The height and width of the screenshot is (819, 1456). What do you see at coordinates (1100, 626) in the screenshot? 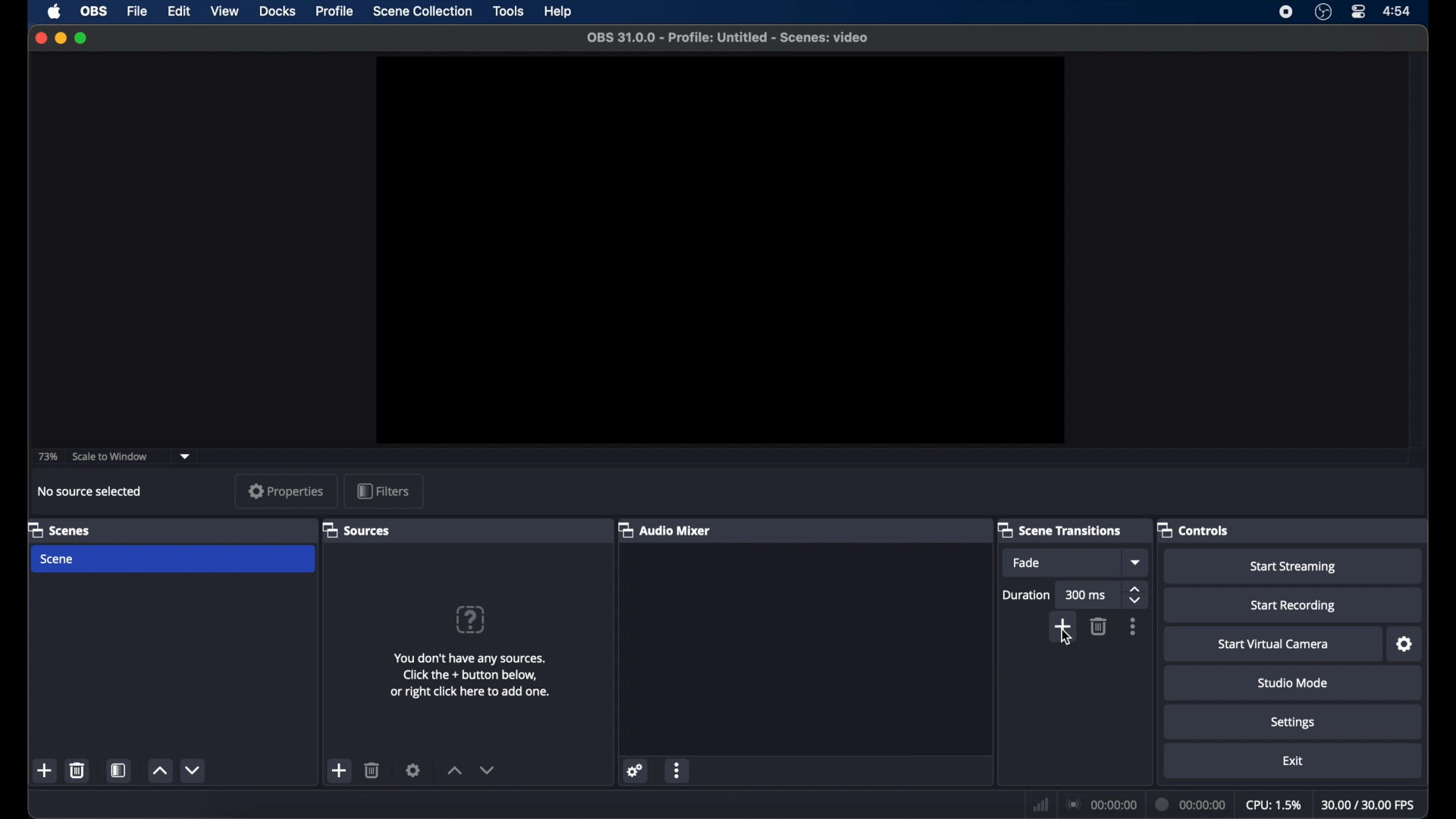
I see `delete` at bounding box center [1100, 626].